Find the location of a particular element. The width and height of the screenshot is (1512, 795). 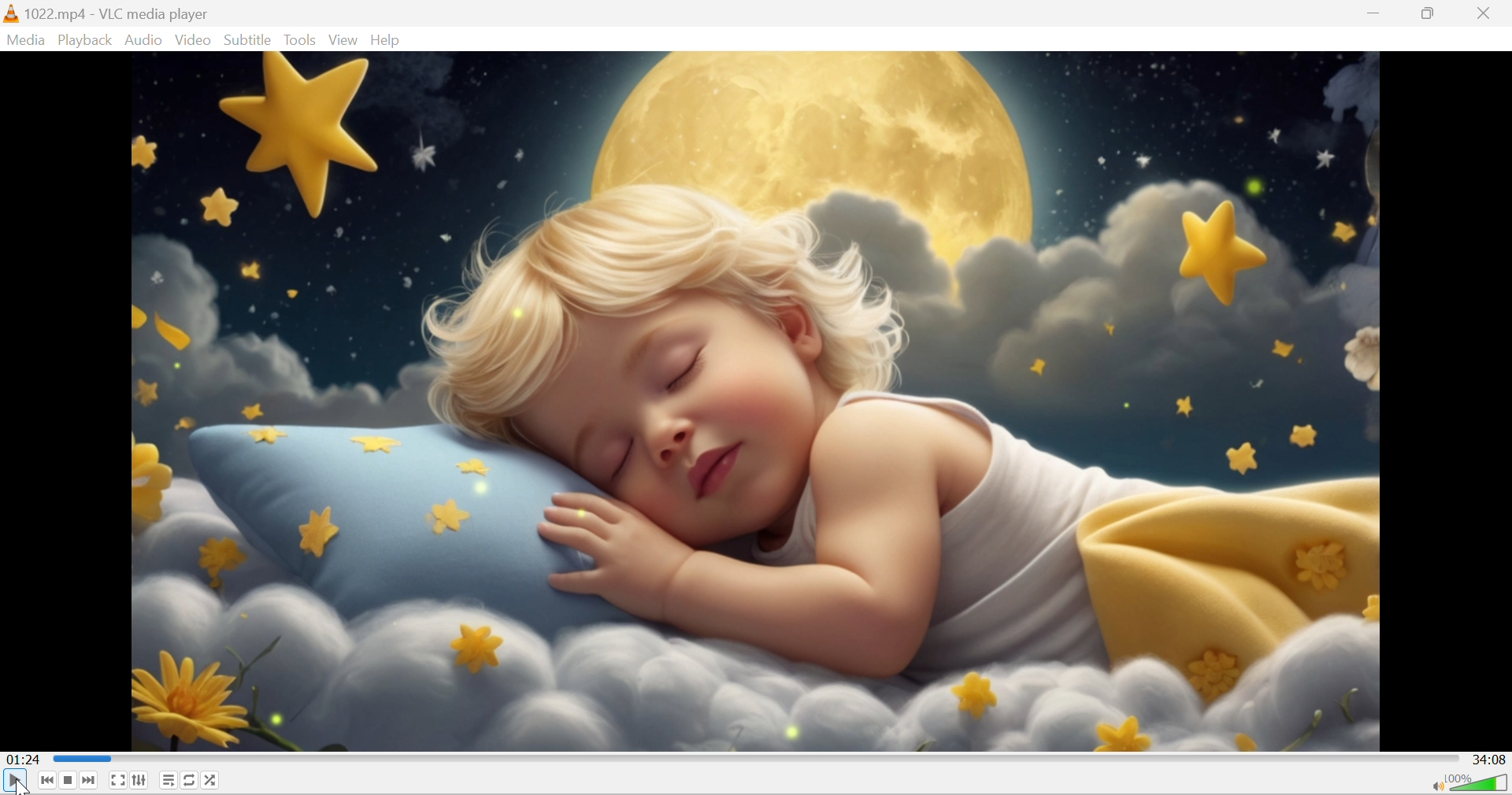

Toggle the video in fullscreen is located at coordinates (120, 781).